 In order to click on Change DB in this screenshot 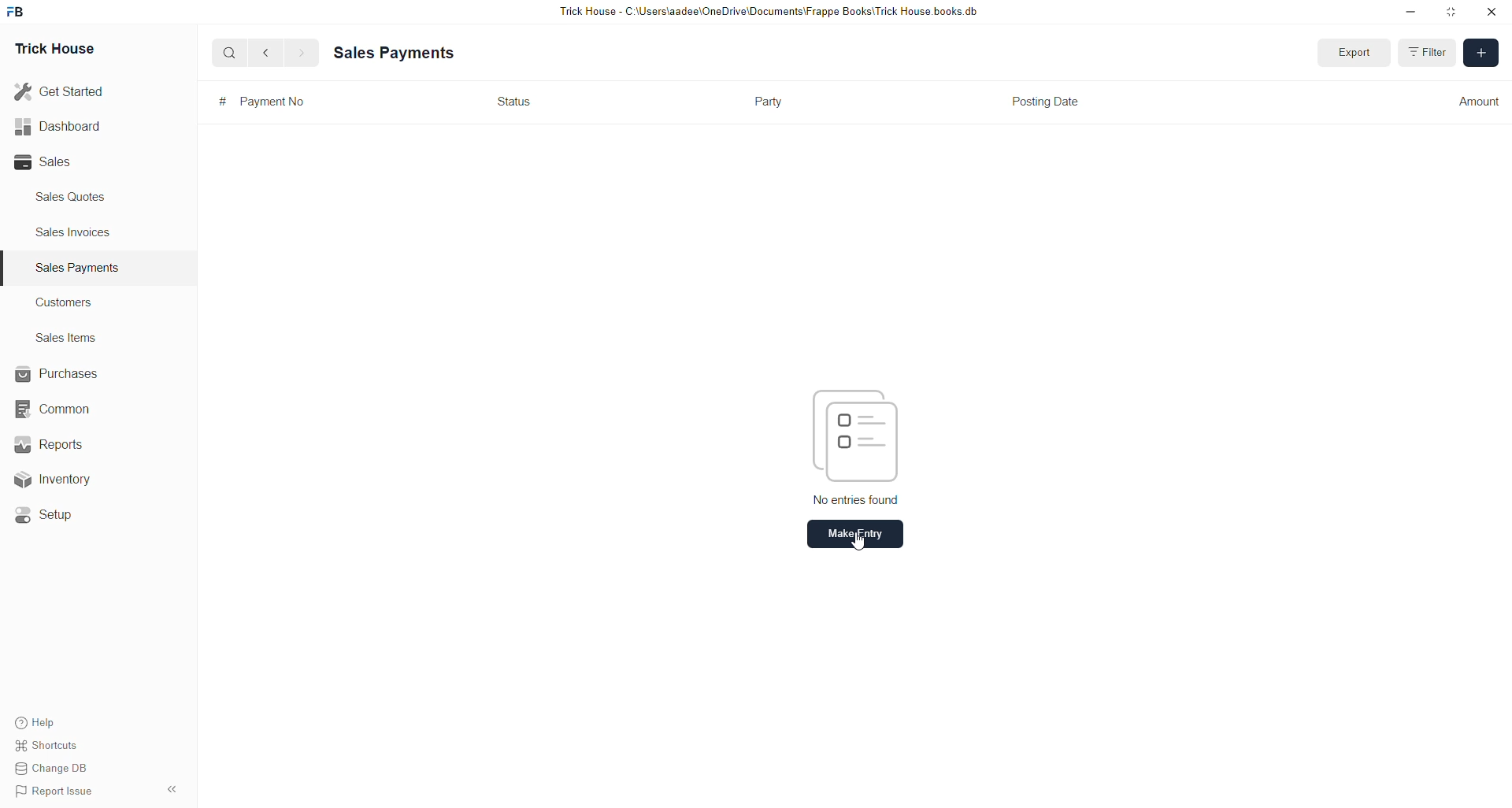, I will do `click(57, 767)`.